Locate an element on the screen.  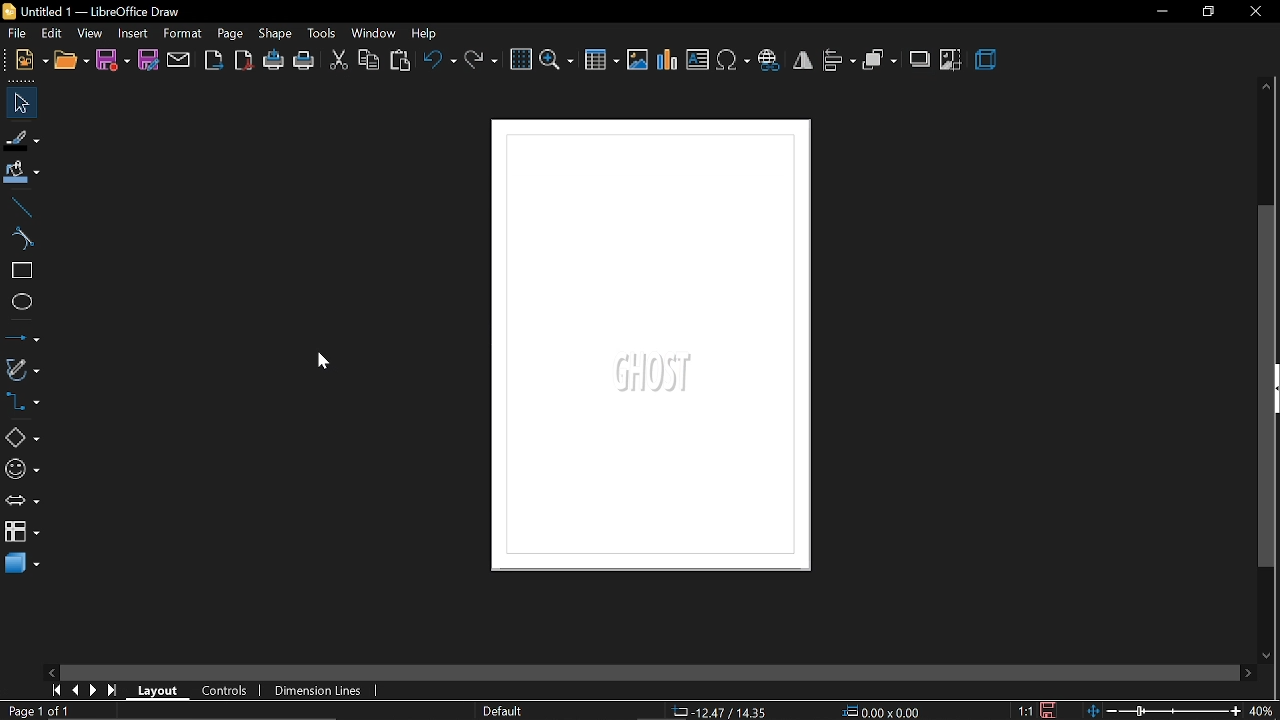
fill line is located at coordinates (23, 138).